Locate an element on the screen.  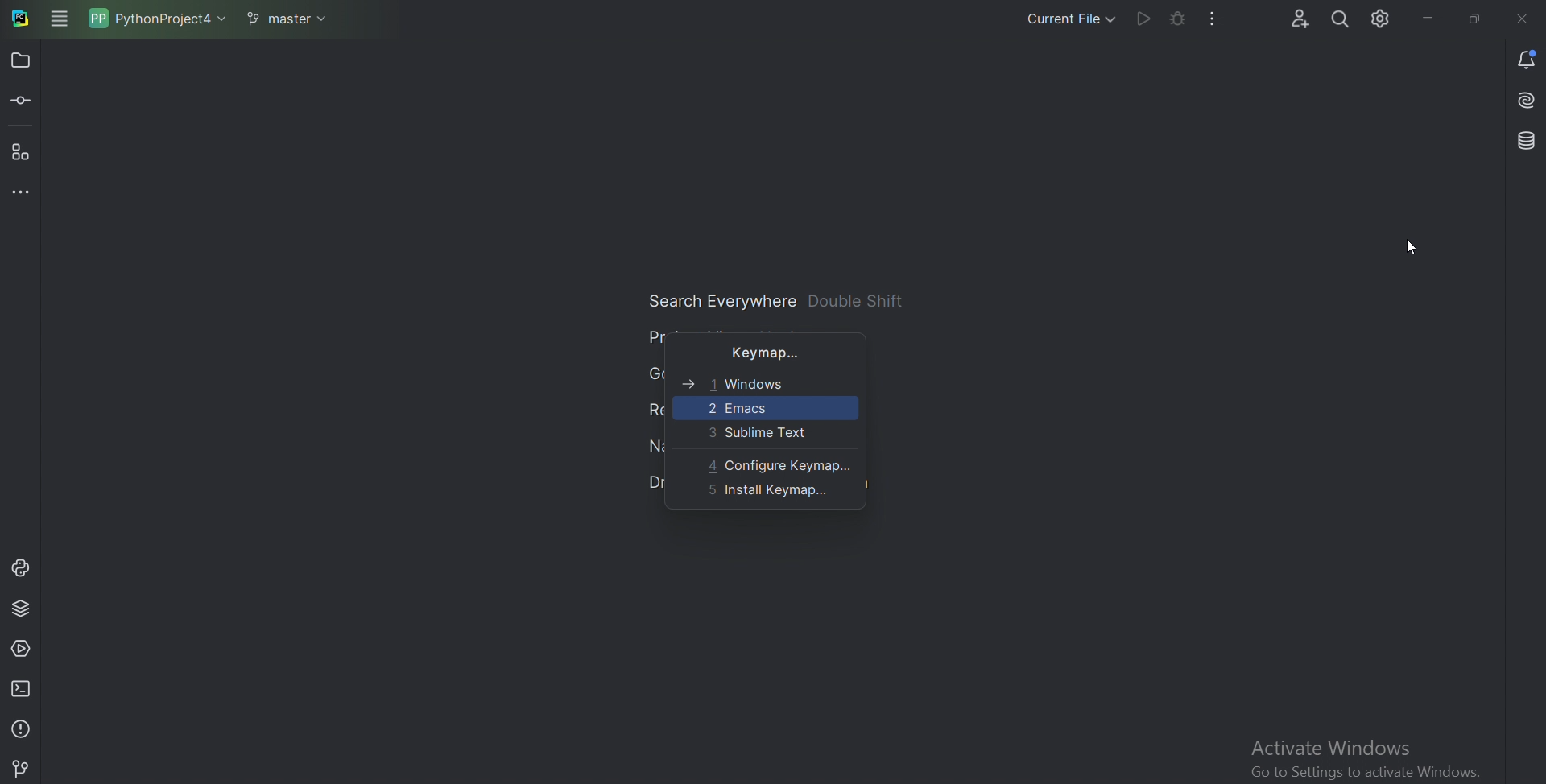
windows is located at coordinates (745, 386).